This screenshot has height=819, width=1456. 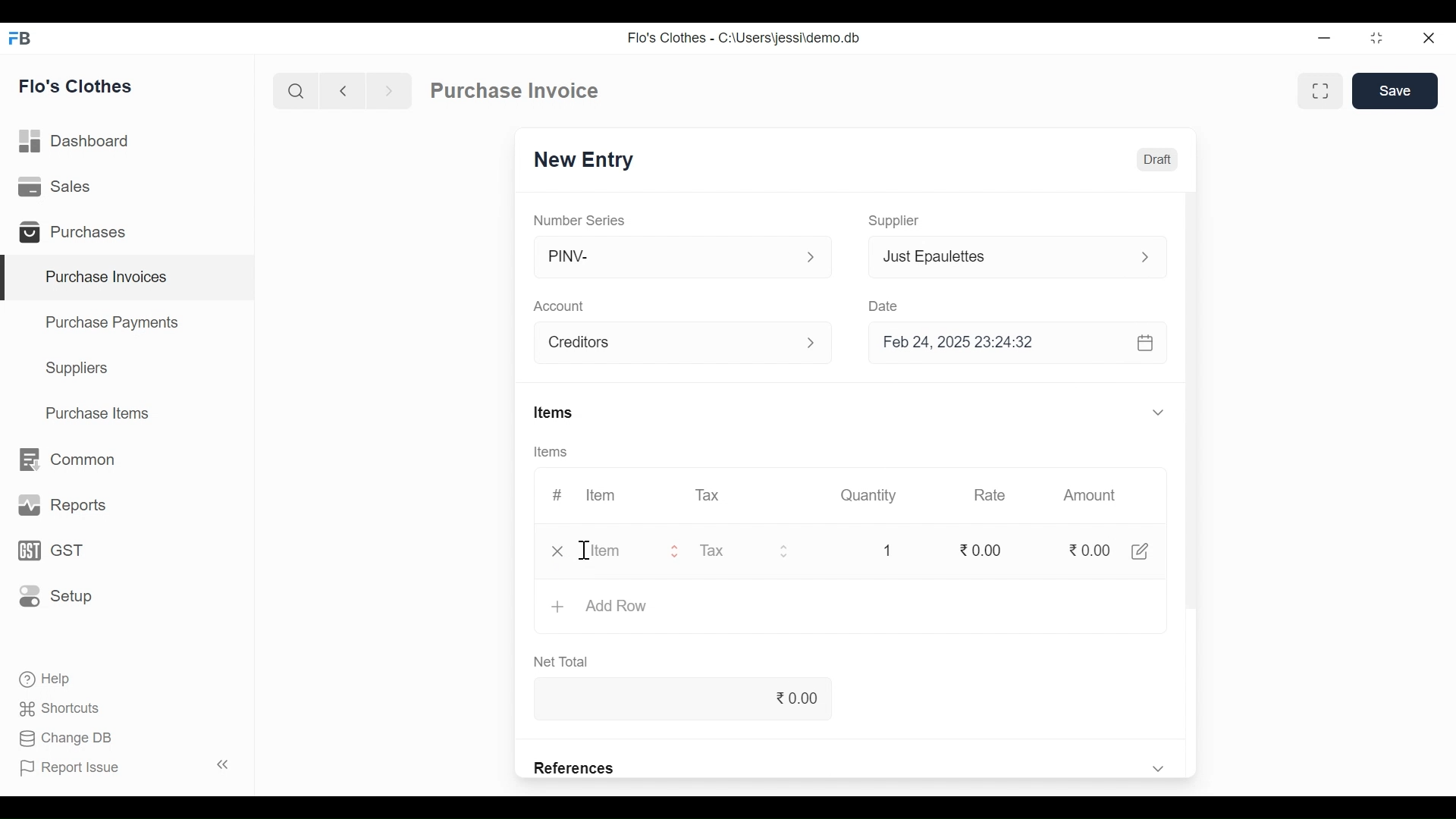 I want to click on Toggle between form and full width, so click(x=1317, y=93).